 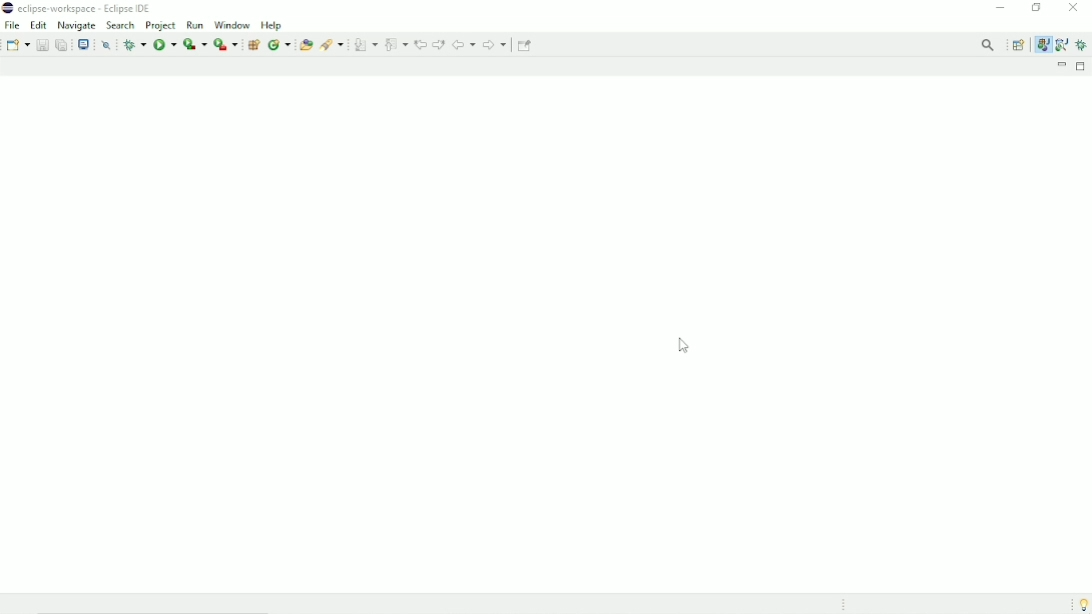 I want to click on Next annotation, so click(x=365, y=45).